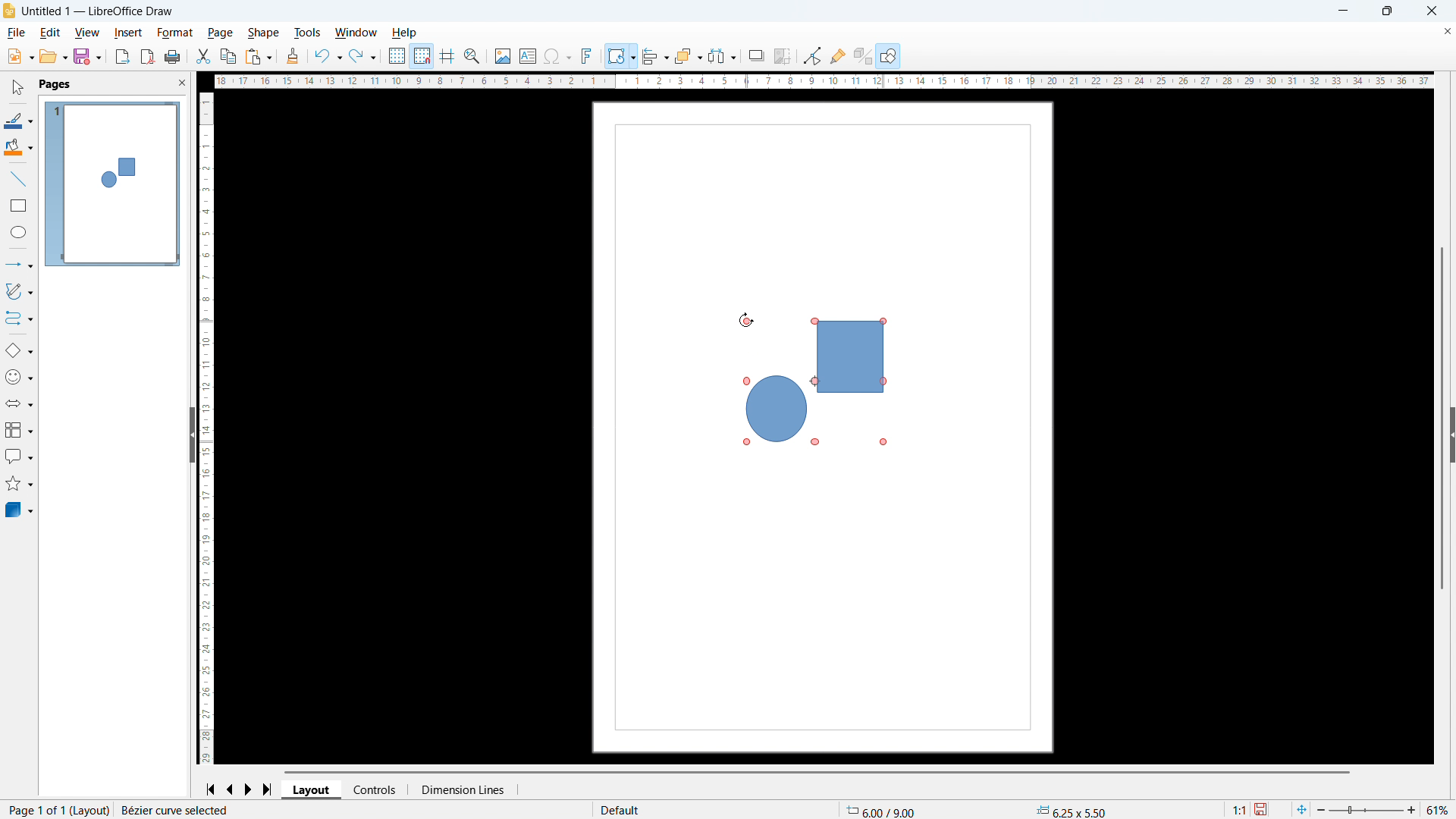  What do you see at coordinates (20, 291) in the screenshot?
I see `Curves and polygons ` at bounding box center [20, 291].